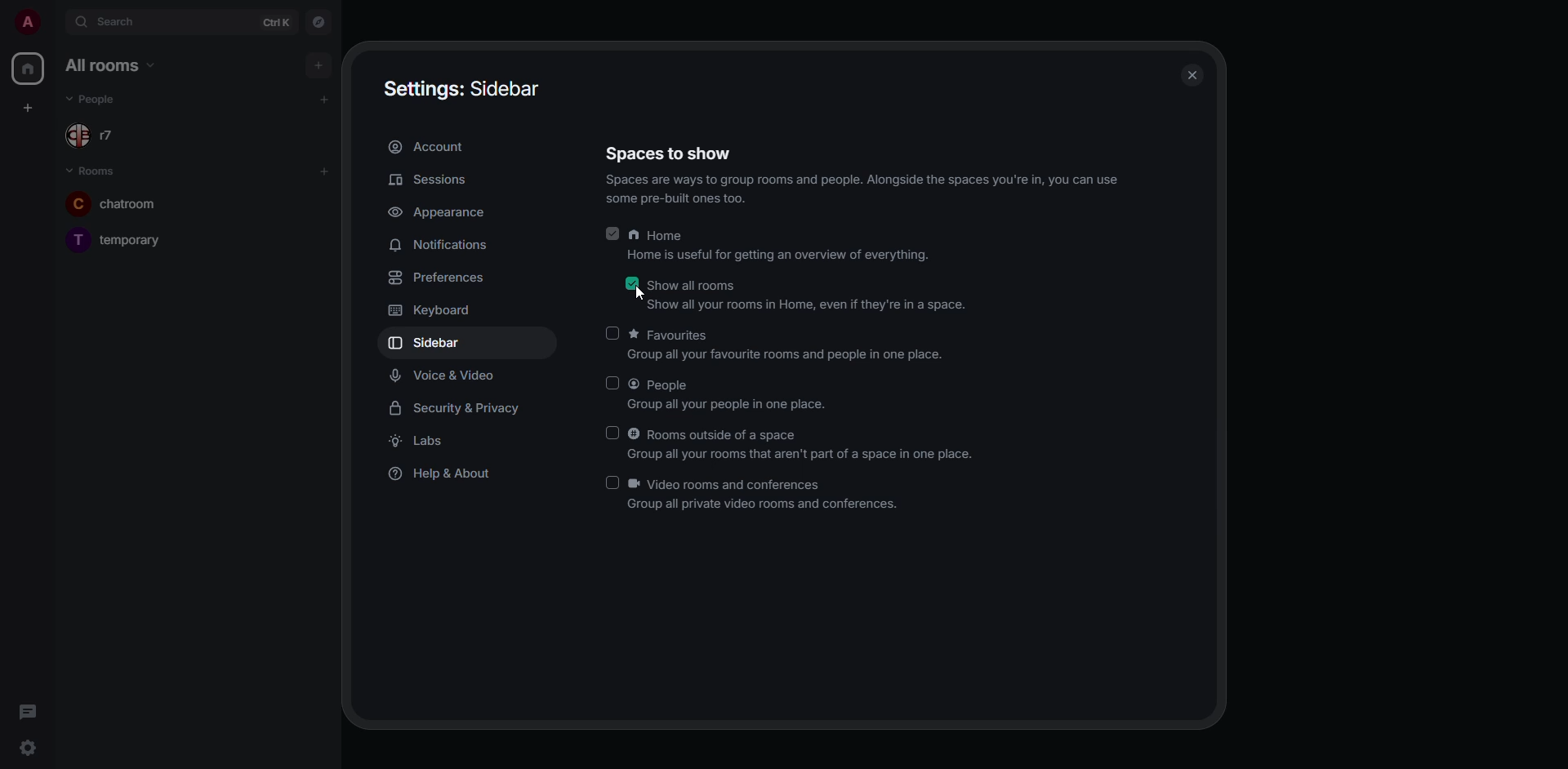 The height and width of the screenshot is (769, 1568). I want to click on cursor, so click(637, 294).